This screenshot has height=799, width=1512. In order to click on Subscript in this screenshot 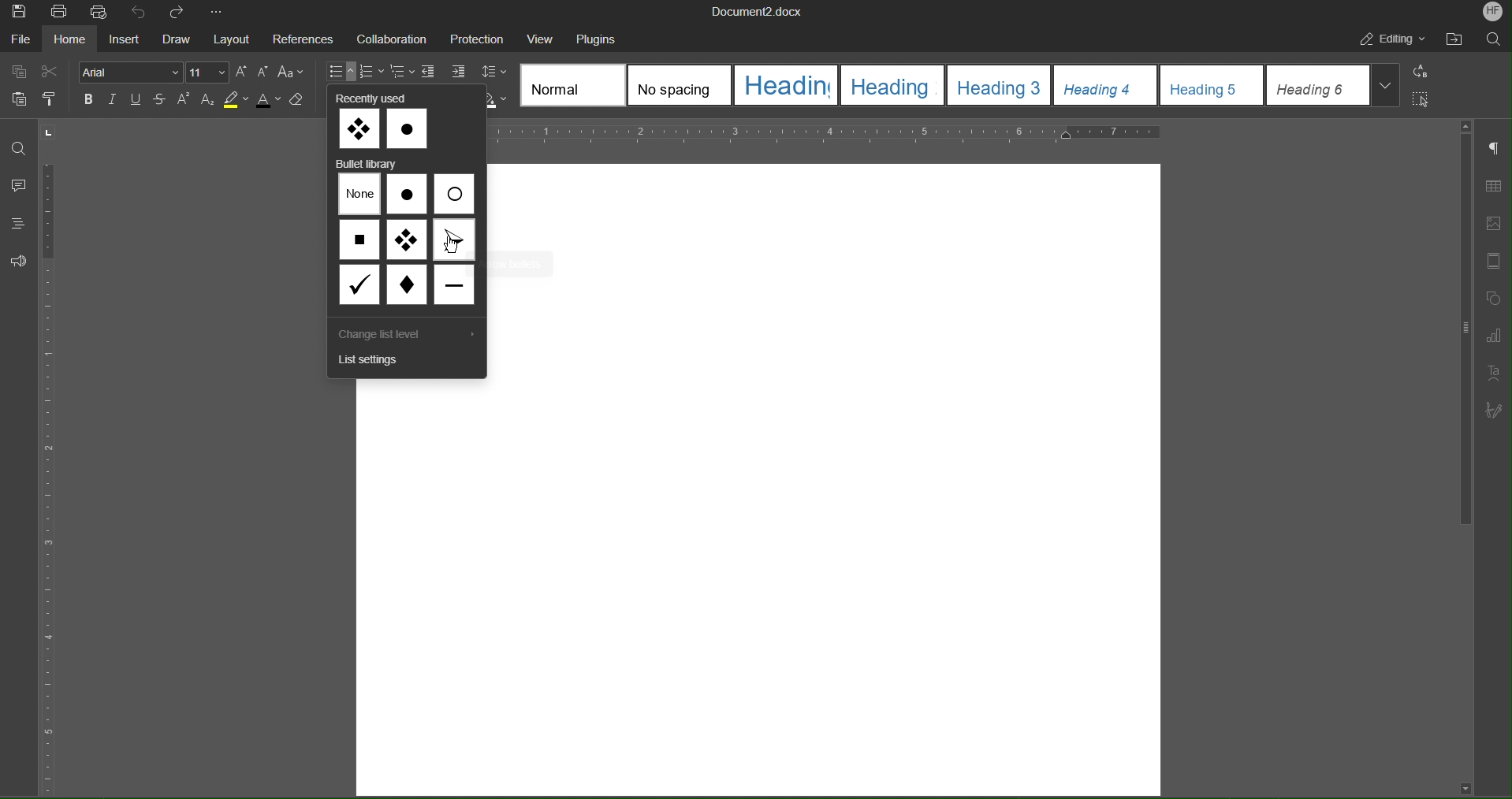, I will do `click(214, 100)`.